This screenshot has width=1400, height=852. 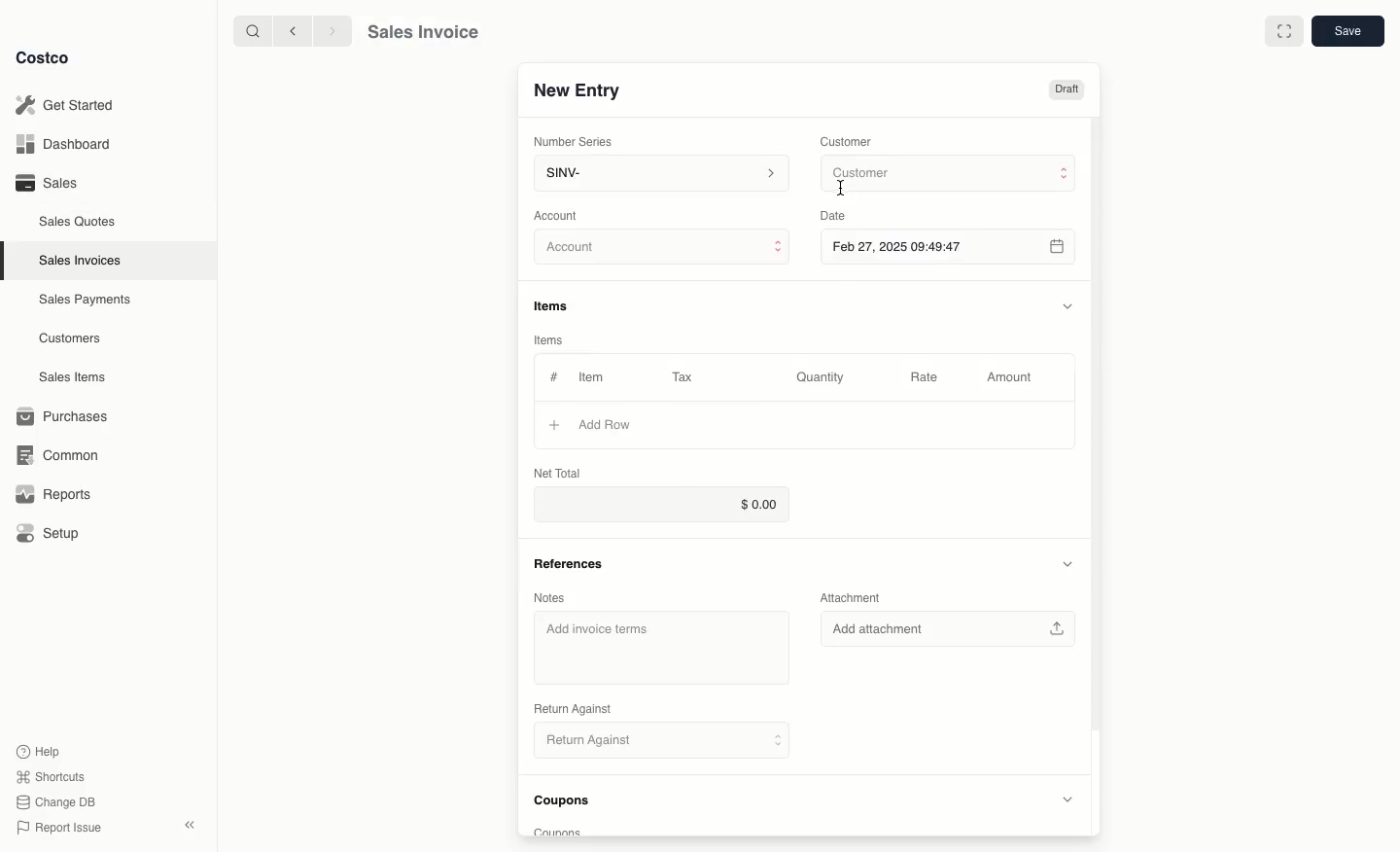 I want to click on Sales Invoice, so click(x=422, y=32).